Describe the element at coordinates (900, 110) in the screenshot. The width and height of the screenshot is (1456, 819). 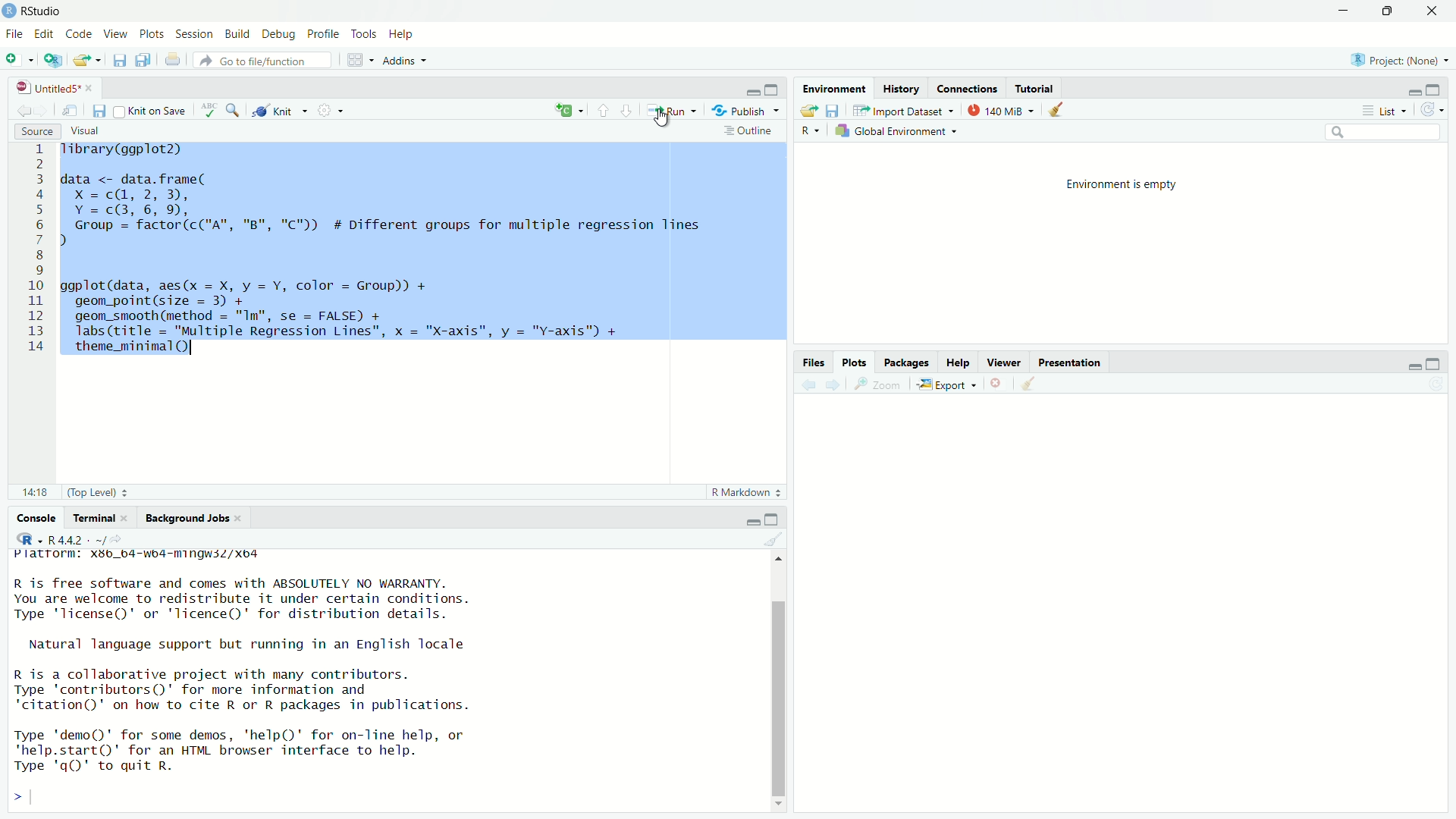
I see `Import Dataset` at that location.